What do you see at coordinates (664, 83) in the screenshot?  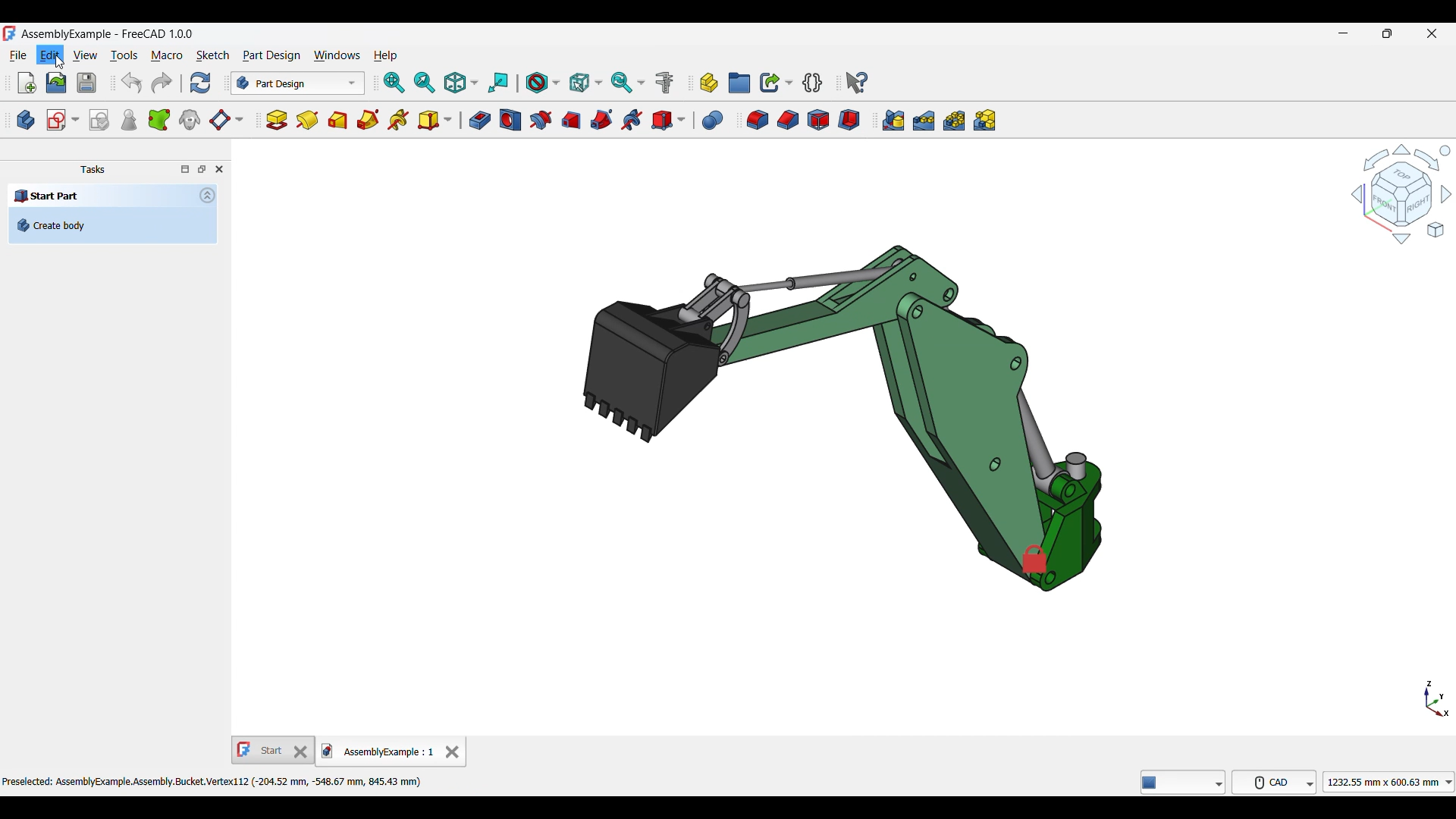 I see `Measure` at bounding box center [664, 83].